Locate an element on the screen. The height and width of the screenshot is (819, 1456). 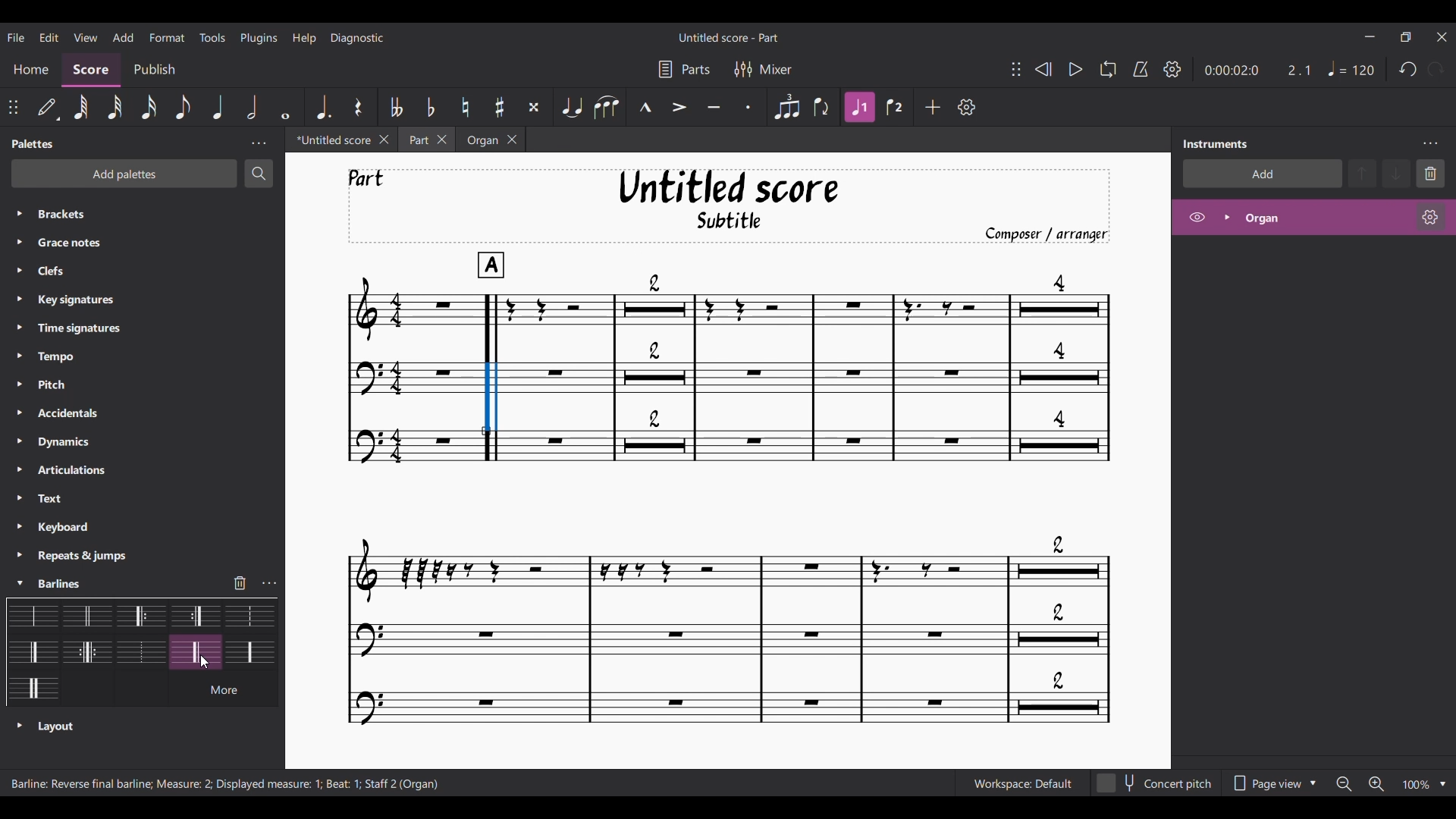
Format menu is located at coordinates (168, 37).